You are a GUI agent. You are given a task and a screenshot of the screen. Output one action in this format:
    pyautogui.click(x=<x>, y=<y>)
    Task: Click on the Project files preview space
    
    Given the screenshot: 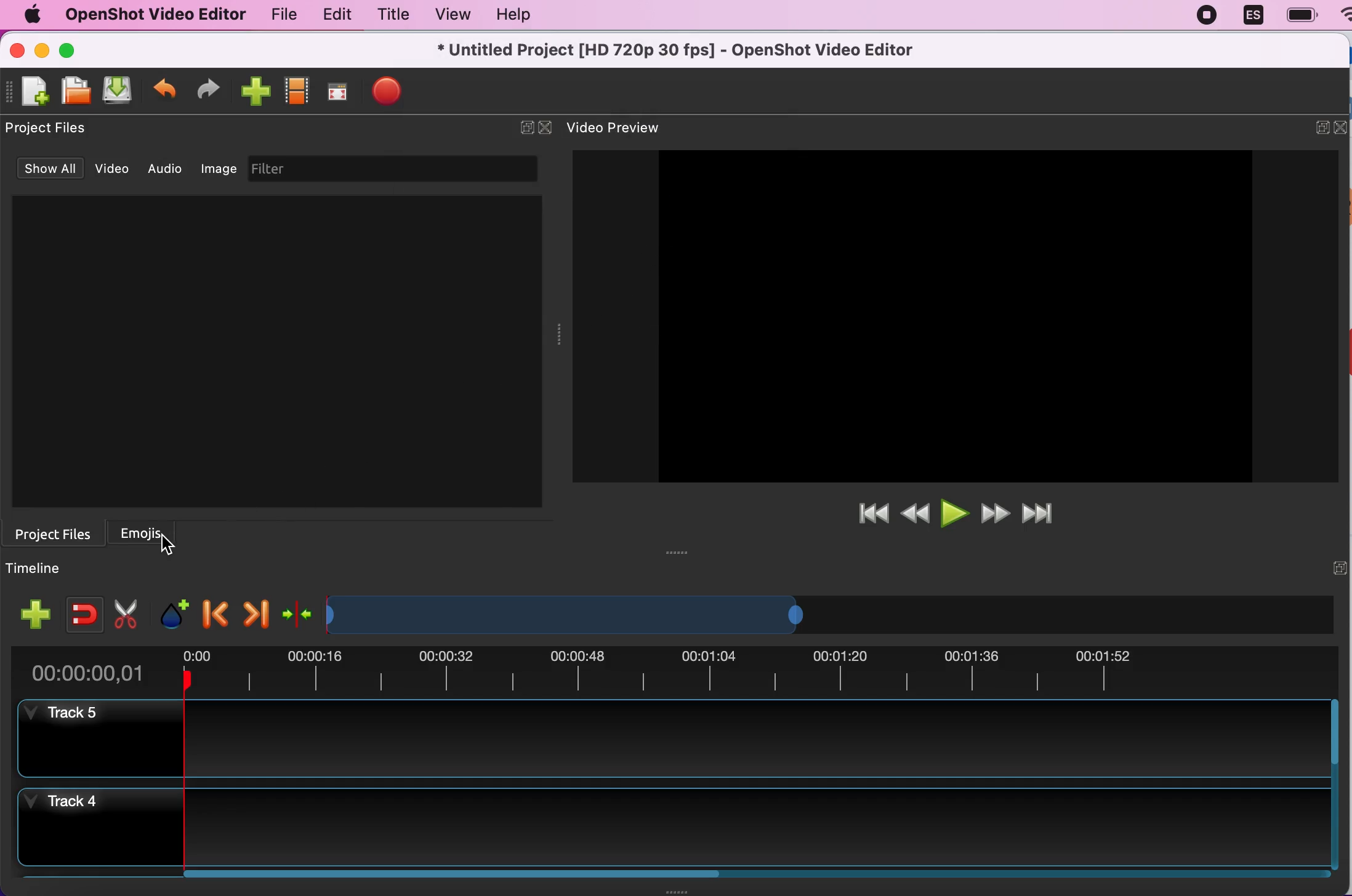 What is the action you would take?
    pyautogui.click(x=276, y=351)
    